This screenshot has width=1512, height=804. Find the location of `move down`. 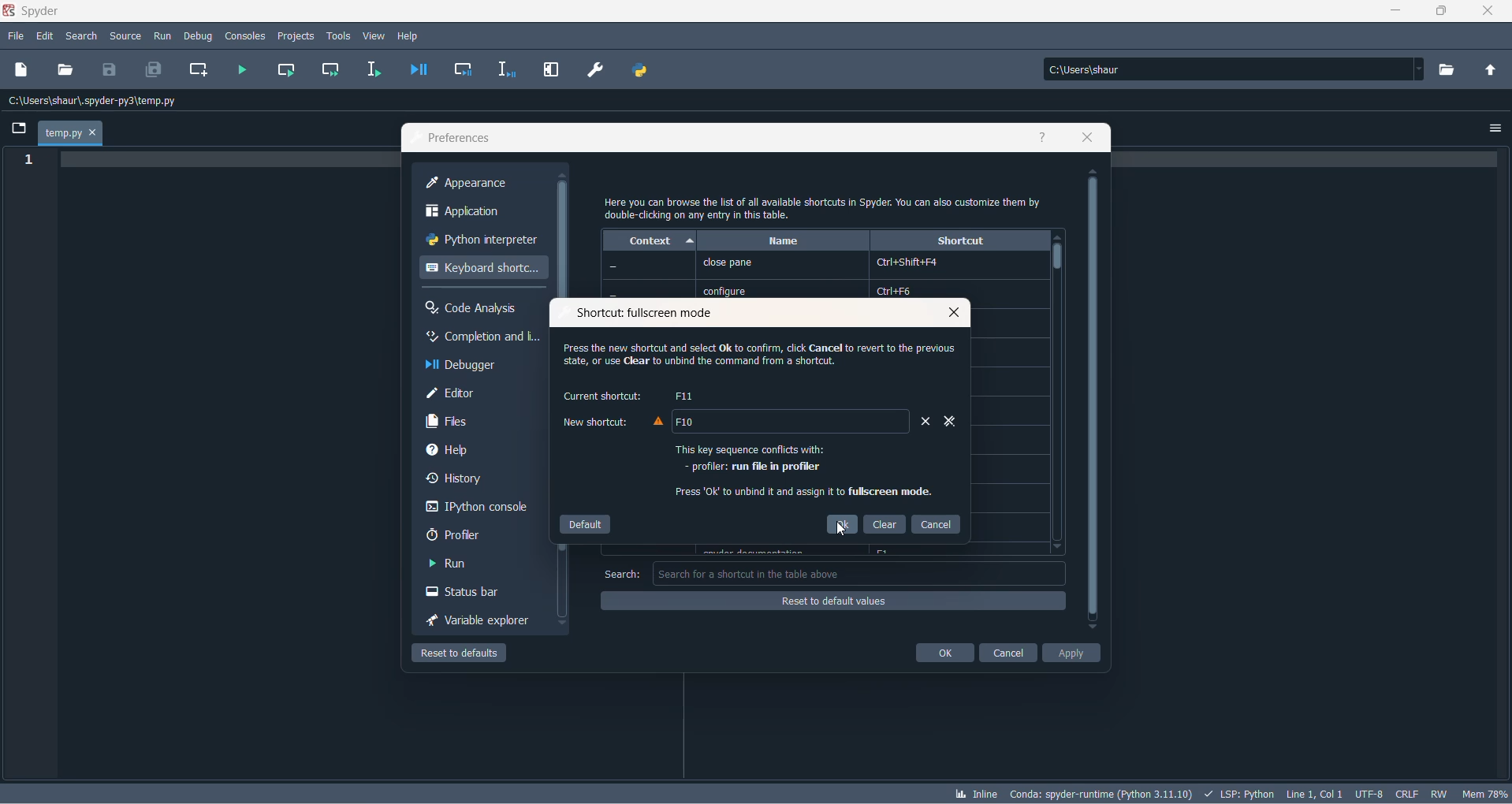

move down is located at coordinates (564, 624).